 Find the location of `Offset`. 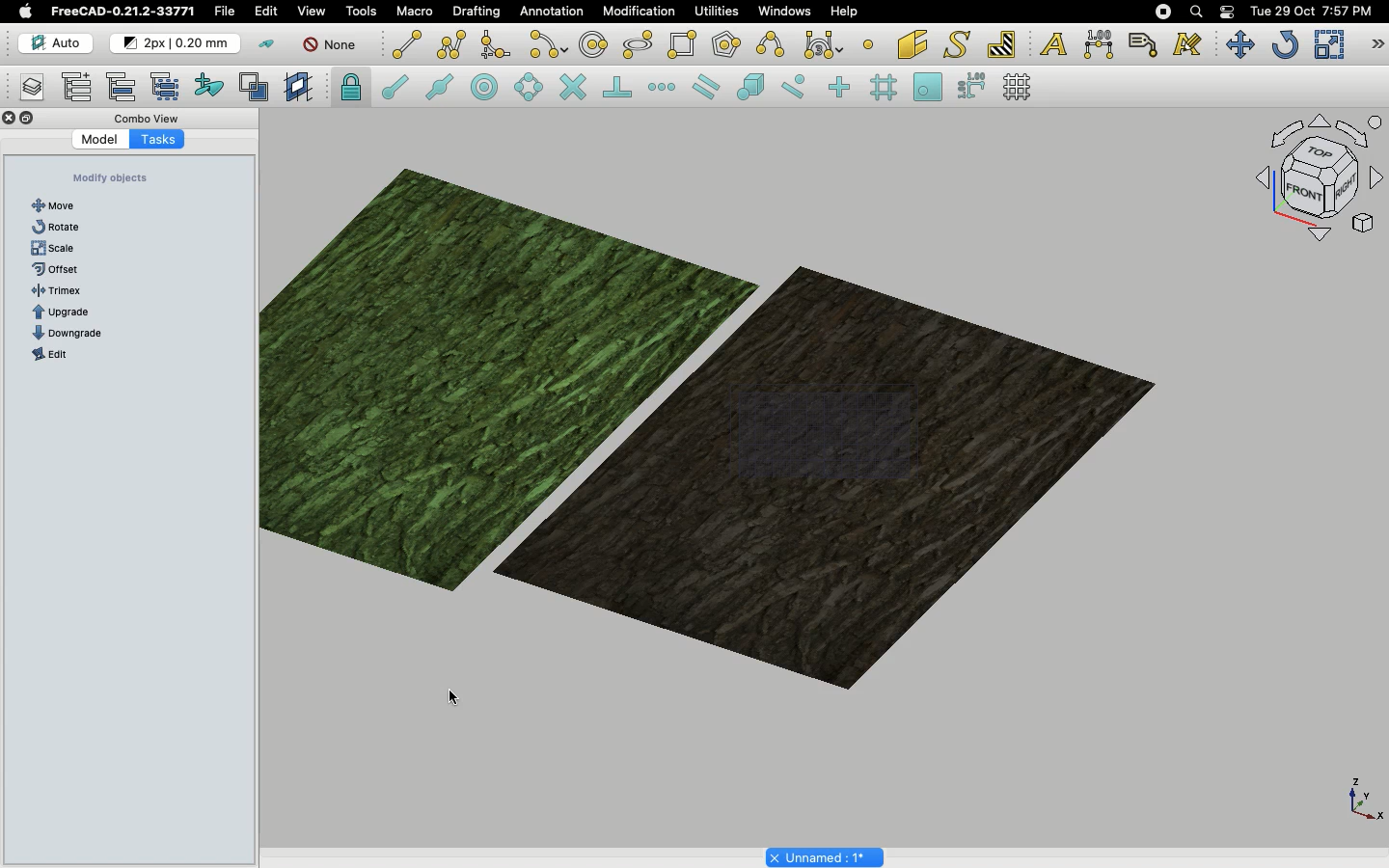

Offset is located at coordinates (64, 266).